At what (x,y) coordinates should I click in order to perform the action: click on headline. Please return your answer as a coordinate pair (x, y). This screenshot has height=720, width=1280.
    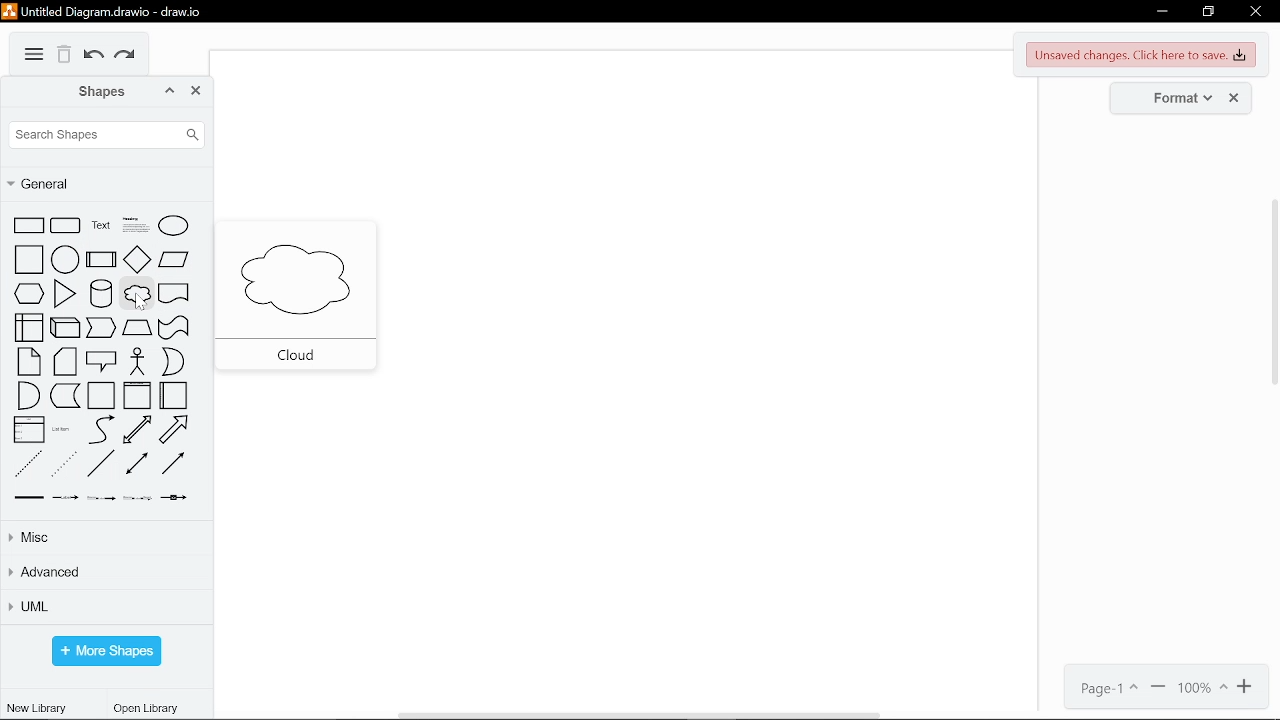
    Looking at the image, I should click on (134, 226).